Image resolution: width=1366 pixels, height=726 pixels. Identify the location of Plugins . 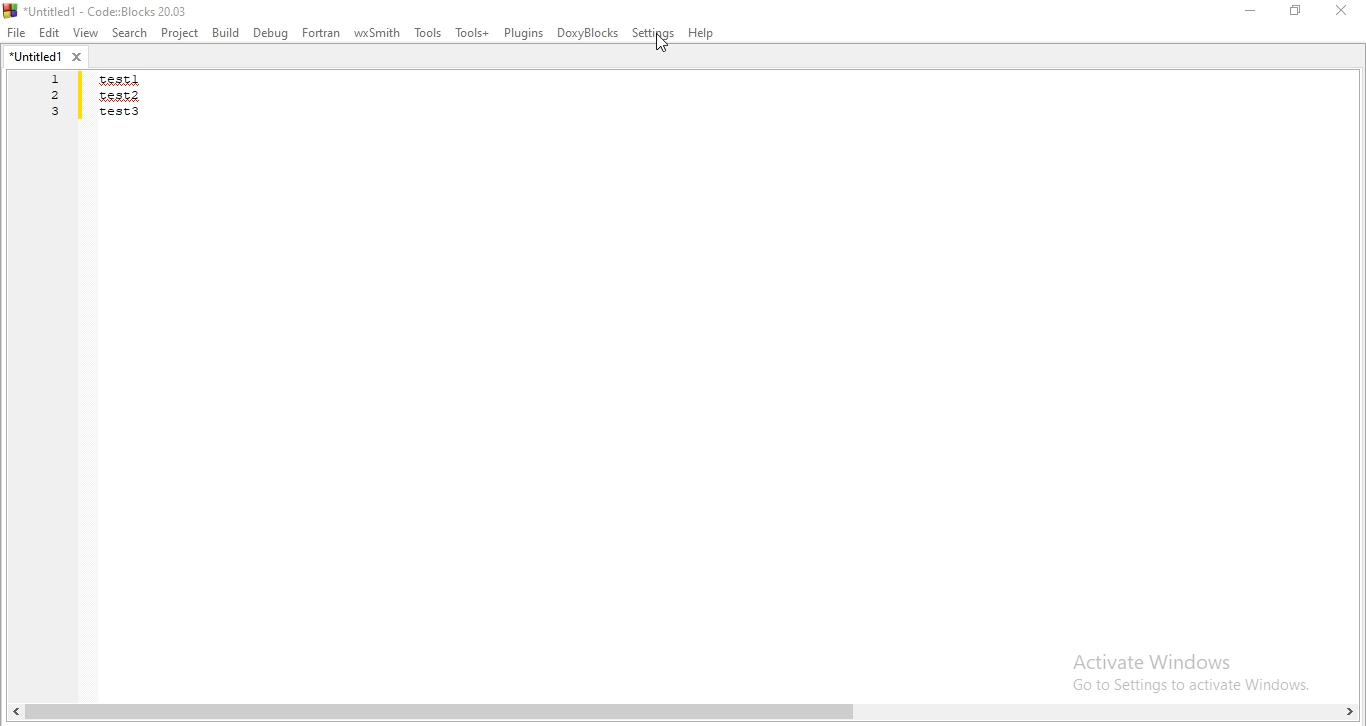
(522, 33).